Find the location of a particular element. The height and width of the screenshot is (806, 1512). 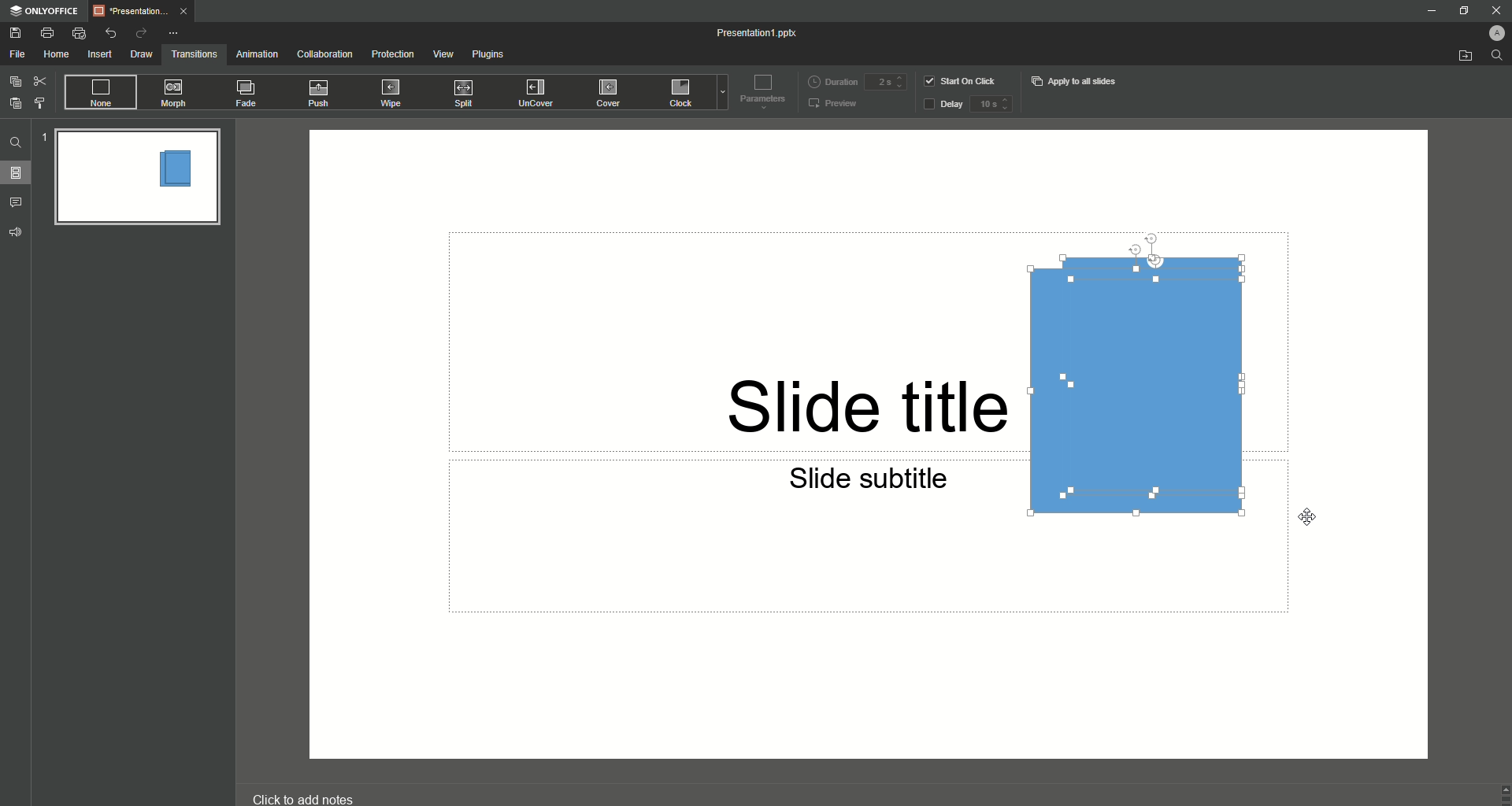

delay input is located at coordinates (991, 104).